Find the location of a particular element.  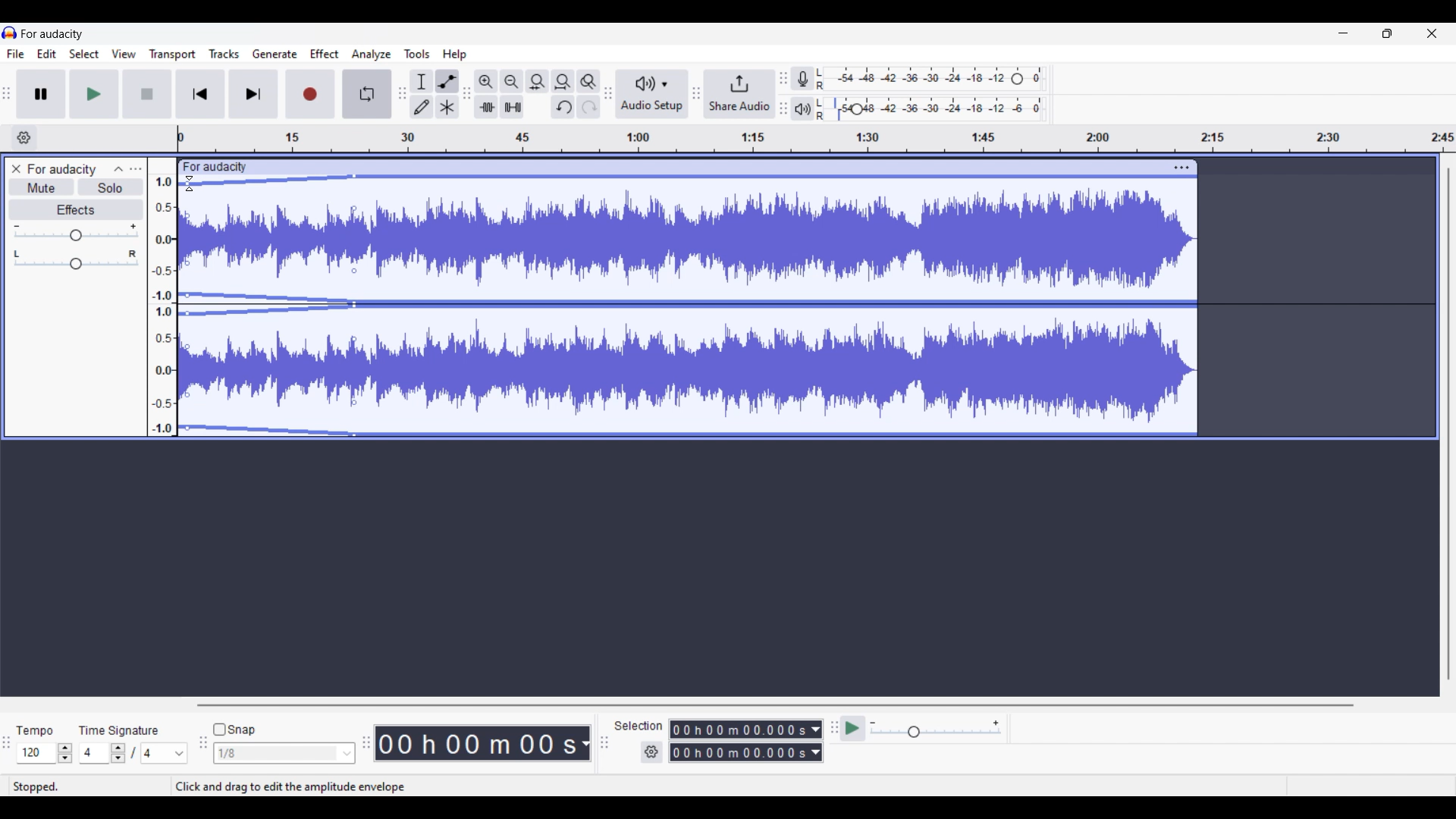

Open menu is located at coordinates (136, 169).